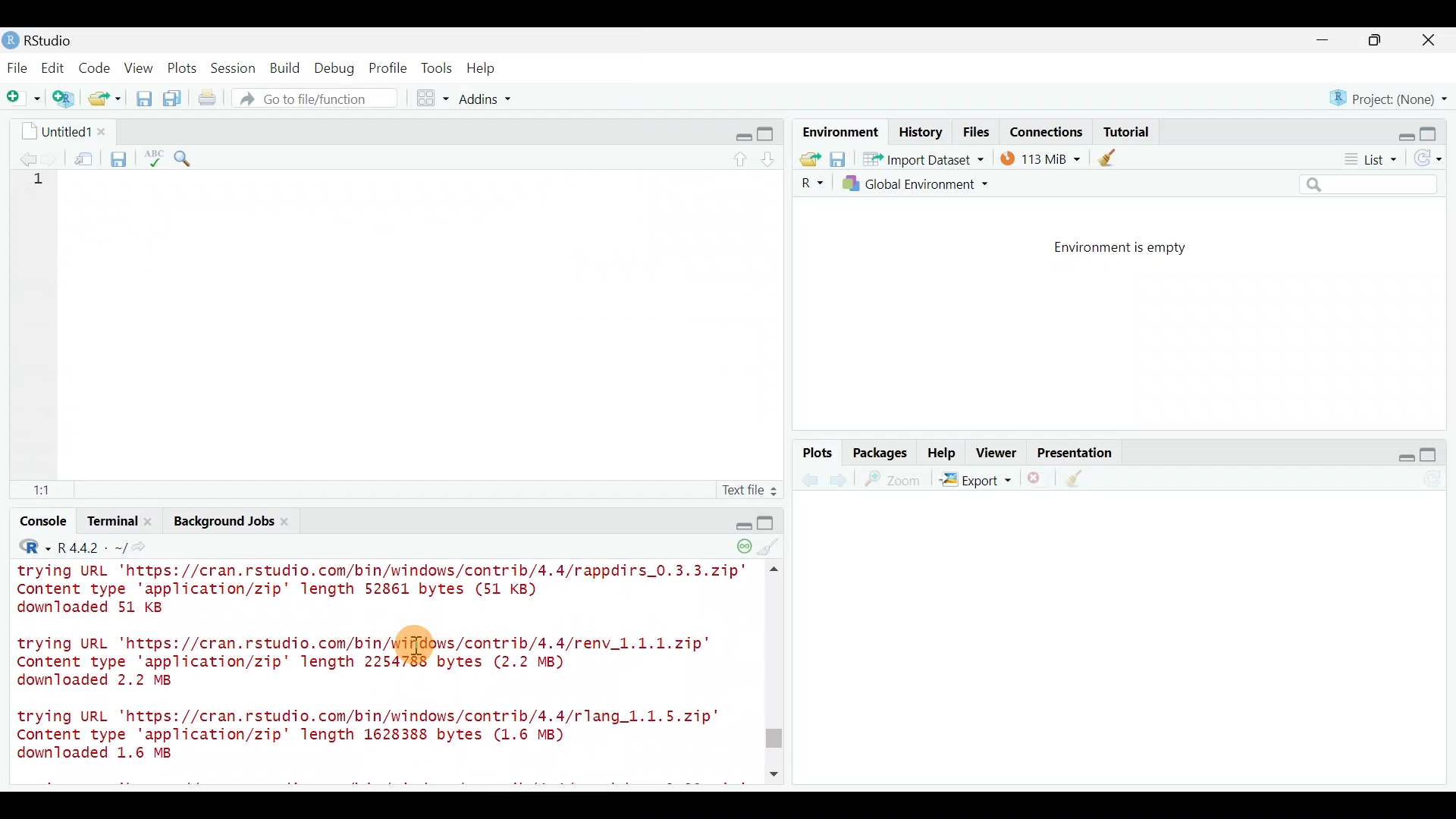  I want to click on zoom, so click(896, 480).